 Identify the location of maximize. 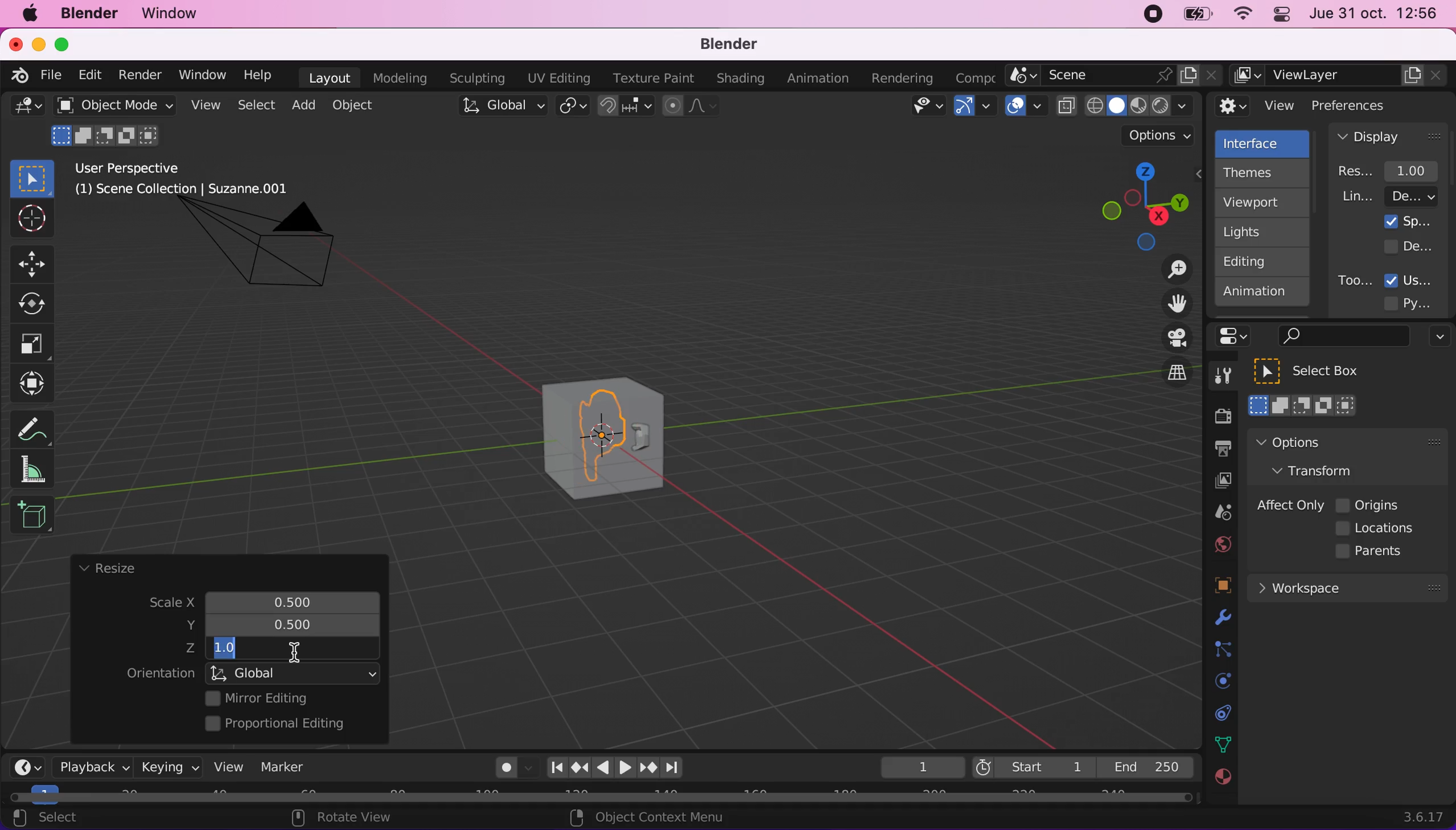
(68, 44).